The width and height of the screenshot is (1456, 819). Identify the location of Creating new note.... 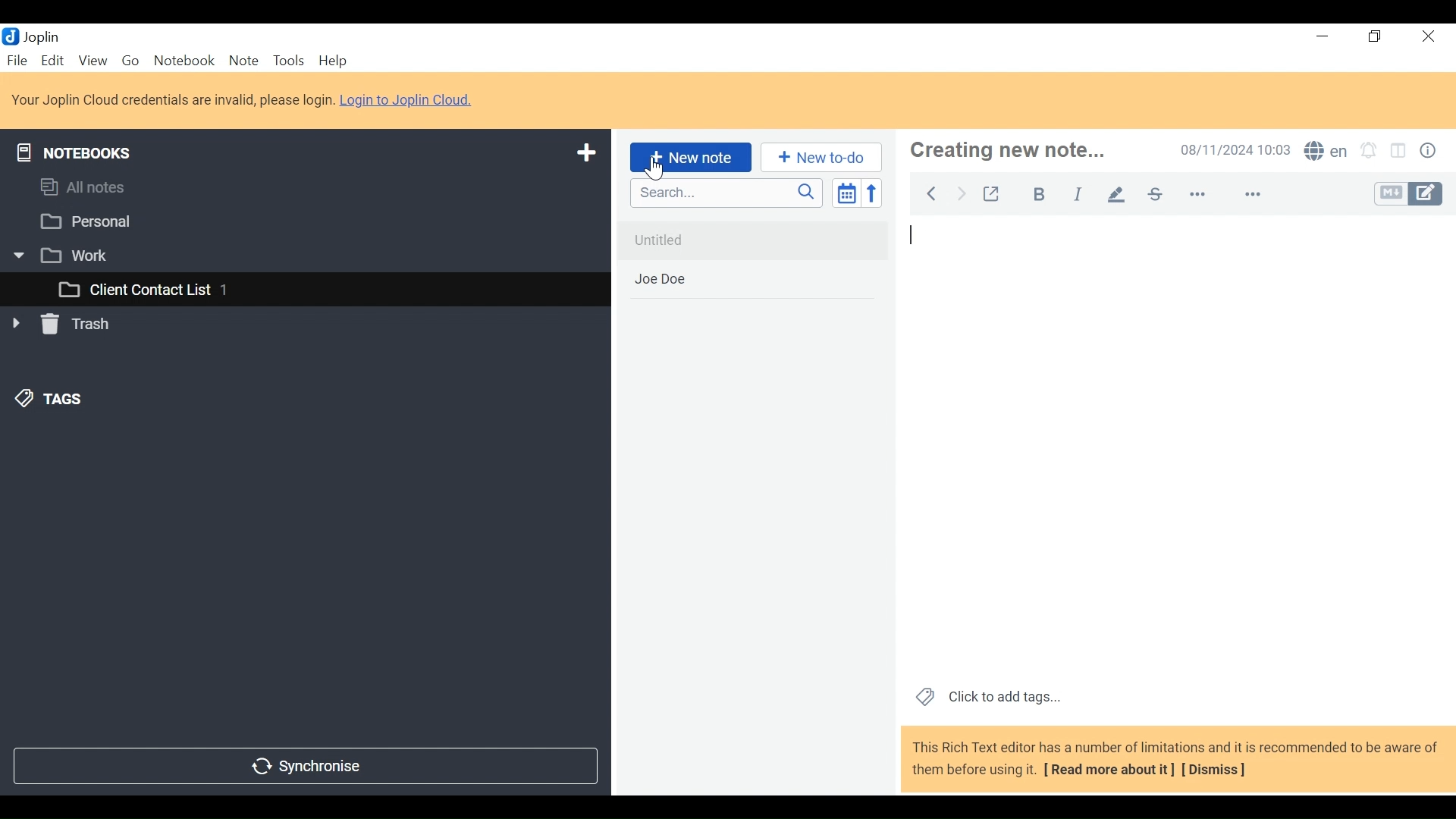
(1022, 150).